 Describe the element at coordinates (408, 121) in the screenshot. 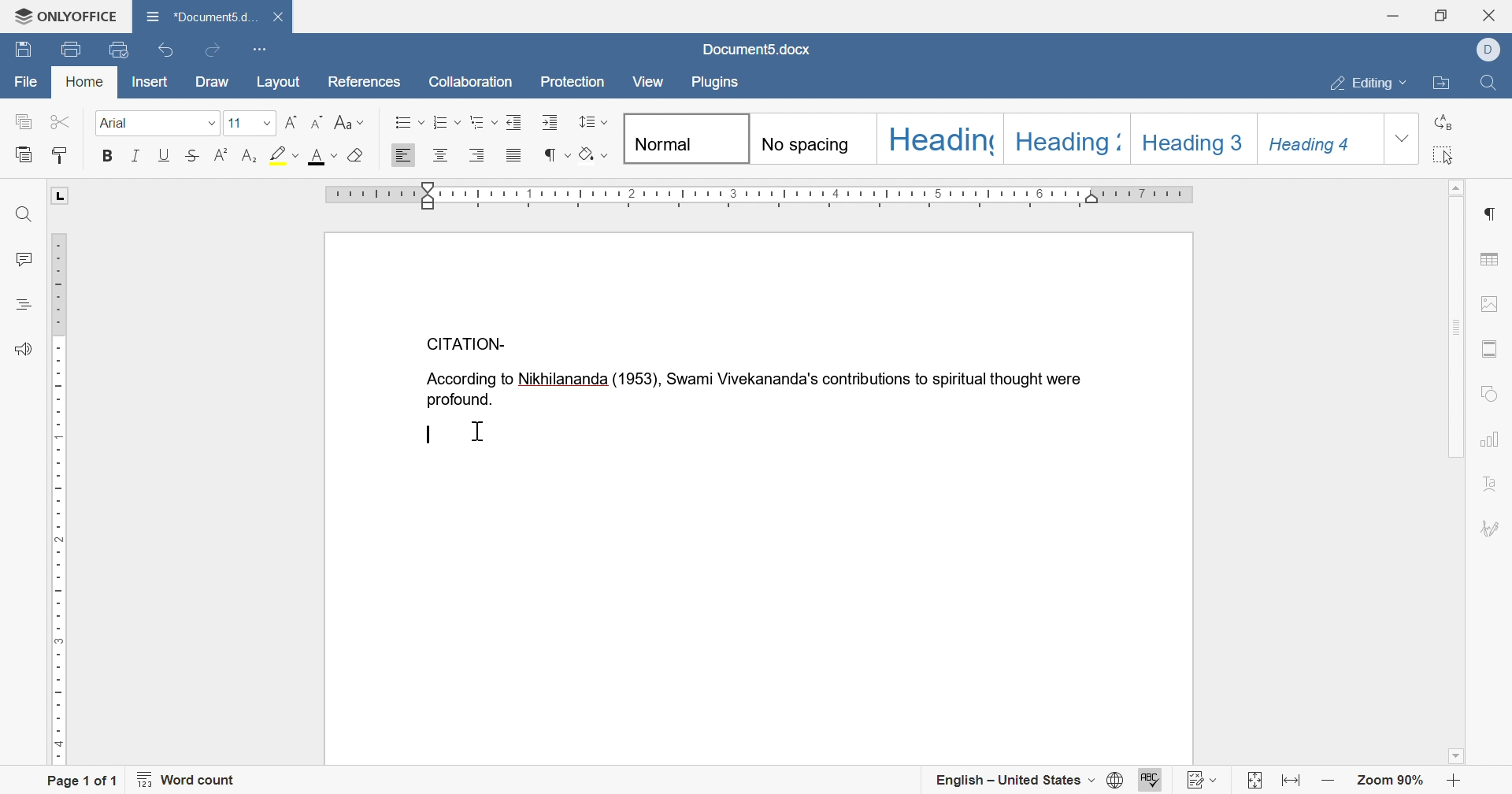

I see `bullets` at that location.